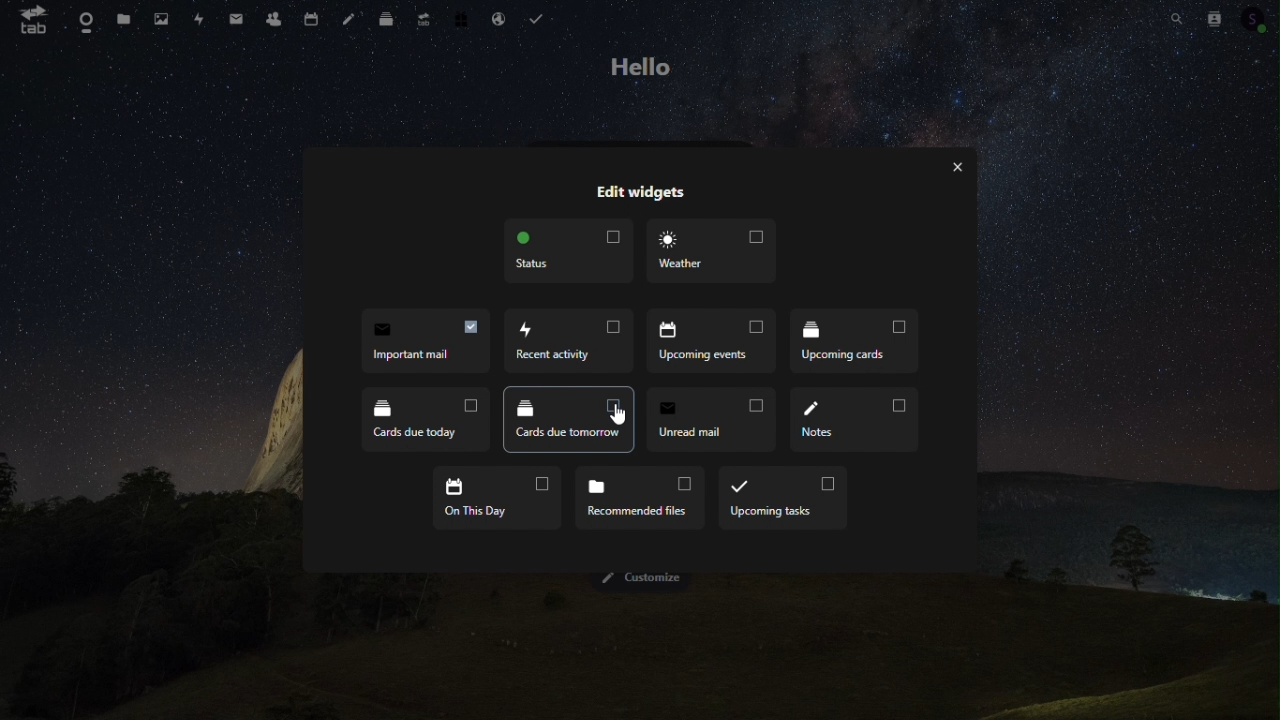 This screenshot has height=720, width=1280. Describe the element at coordinates (641, 656) in the screenshot. I see `background image` at that location.